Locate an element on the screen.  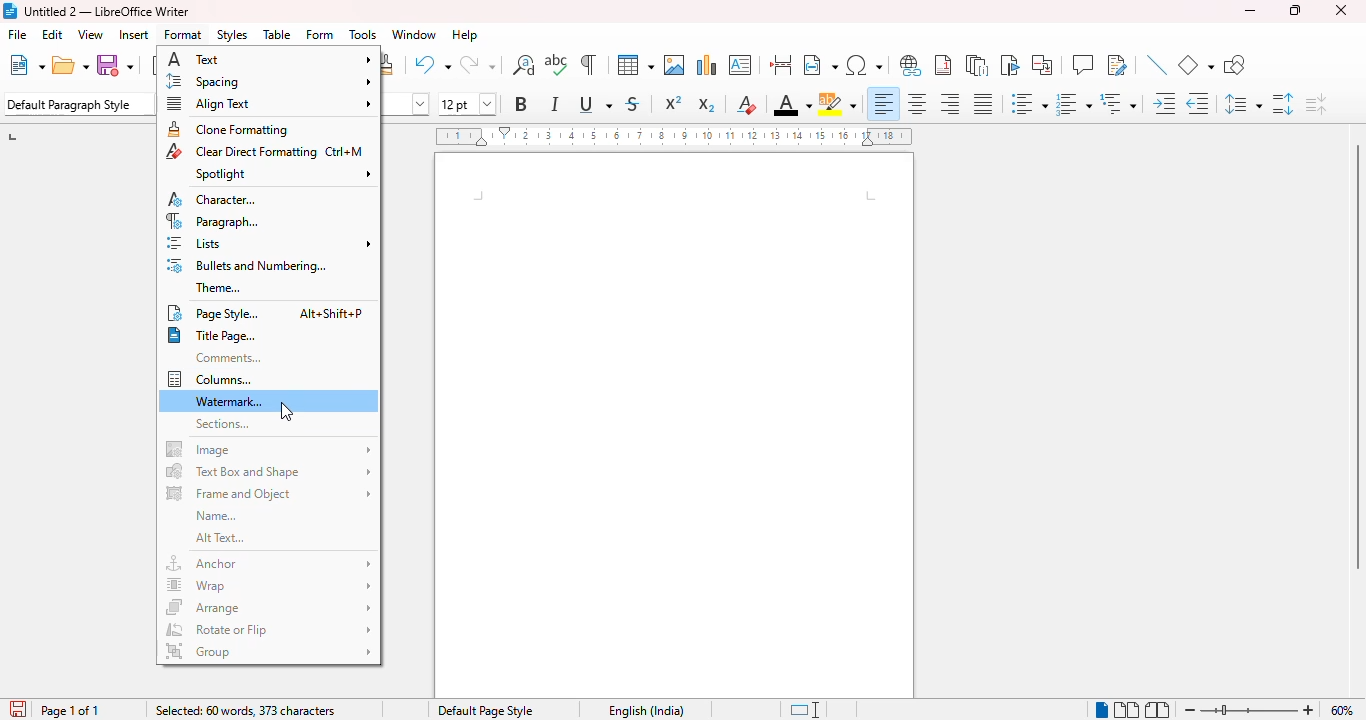
logo is located at coordinates (9, 10).